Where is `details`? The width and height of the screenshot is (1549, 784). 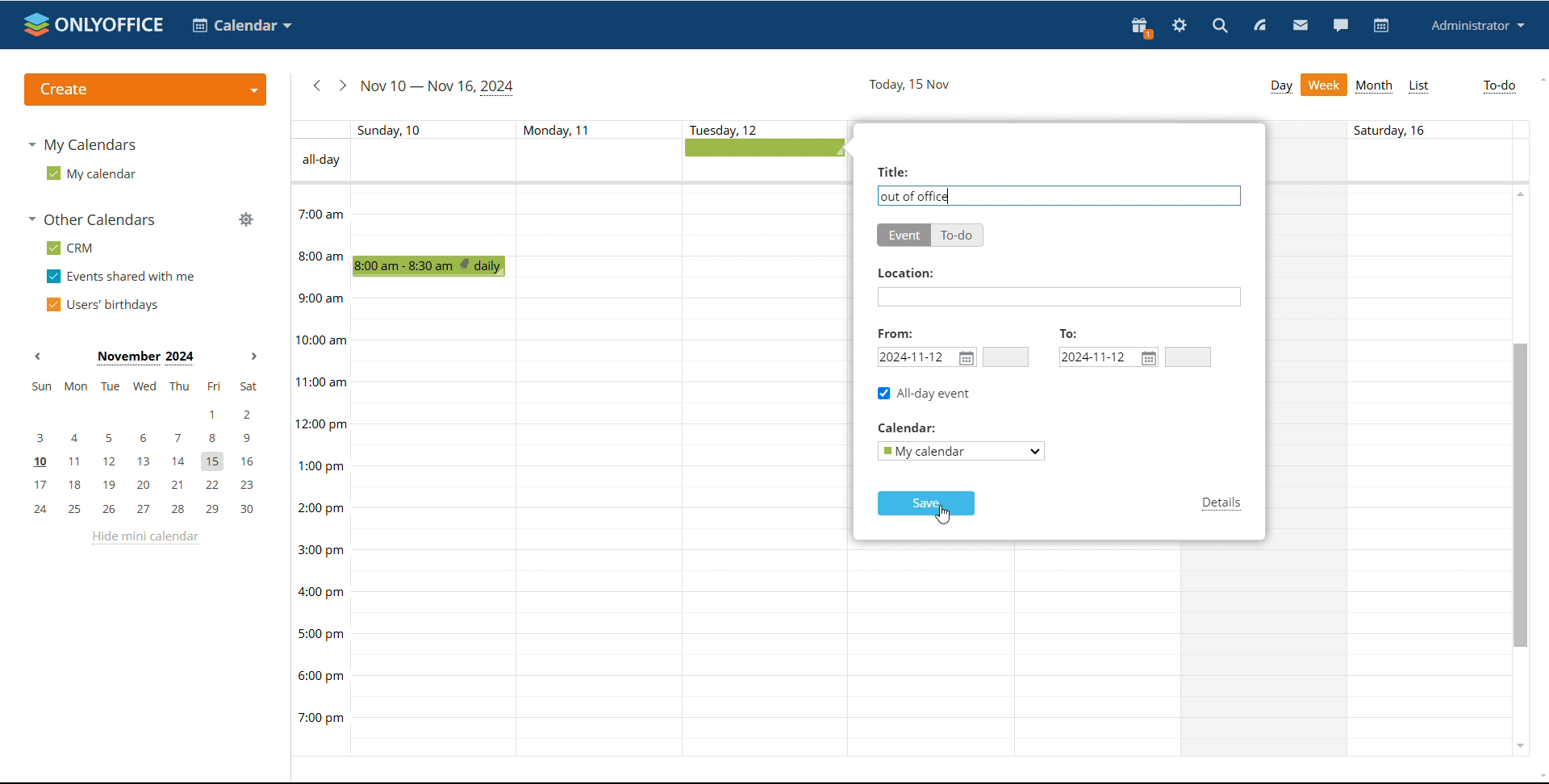 details is located at coordinates (1221, 504).